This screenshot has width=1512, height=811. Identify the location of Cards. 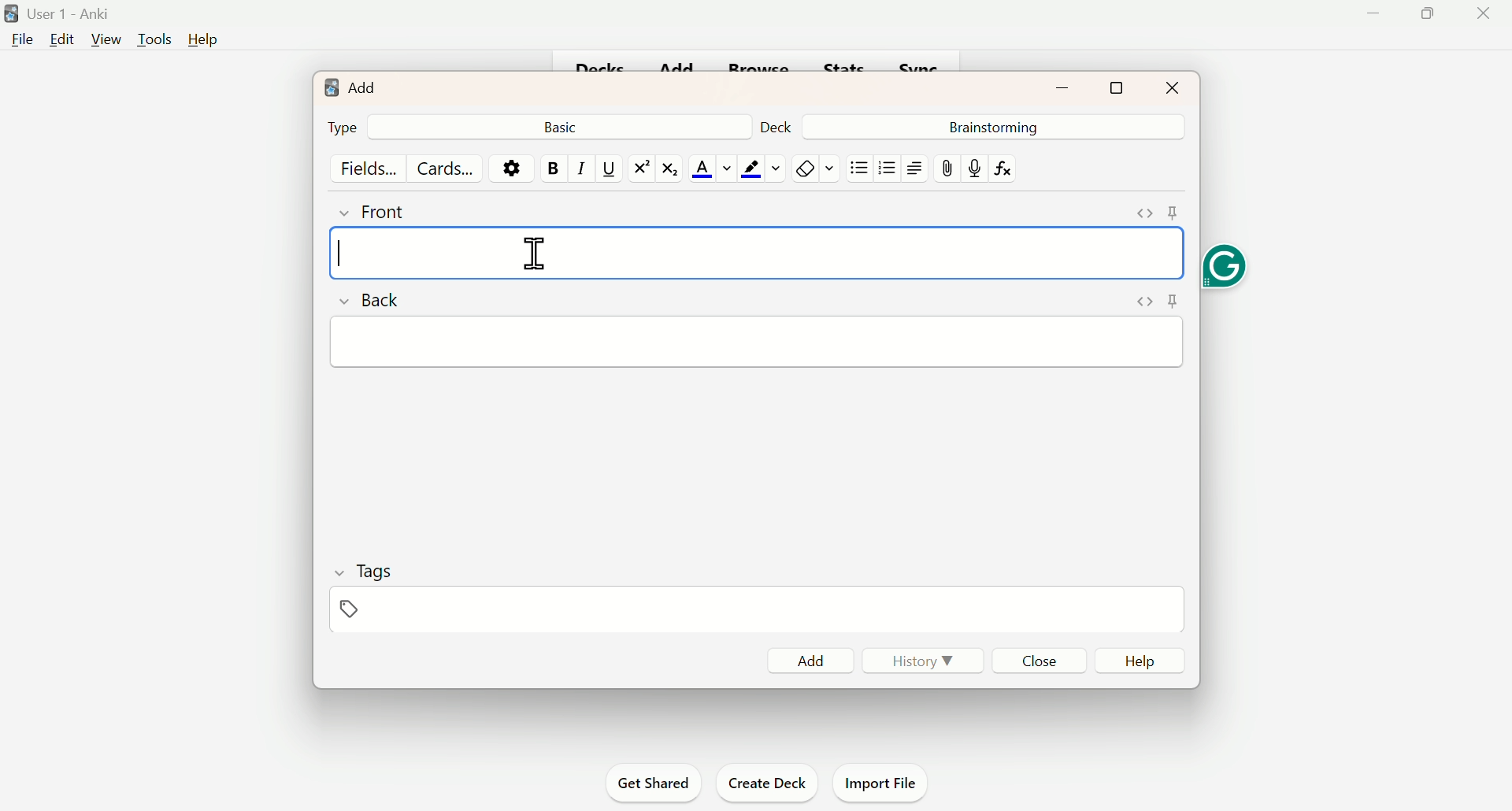
(445, 168).